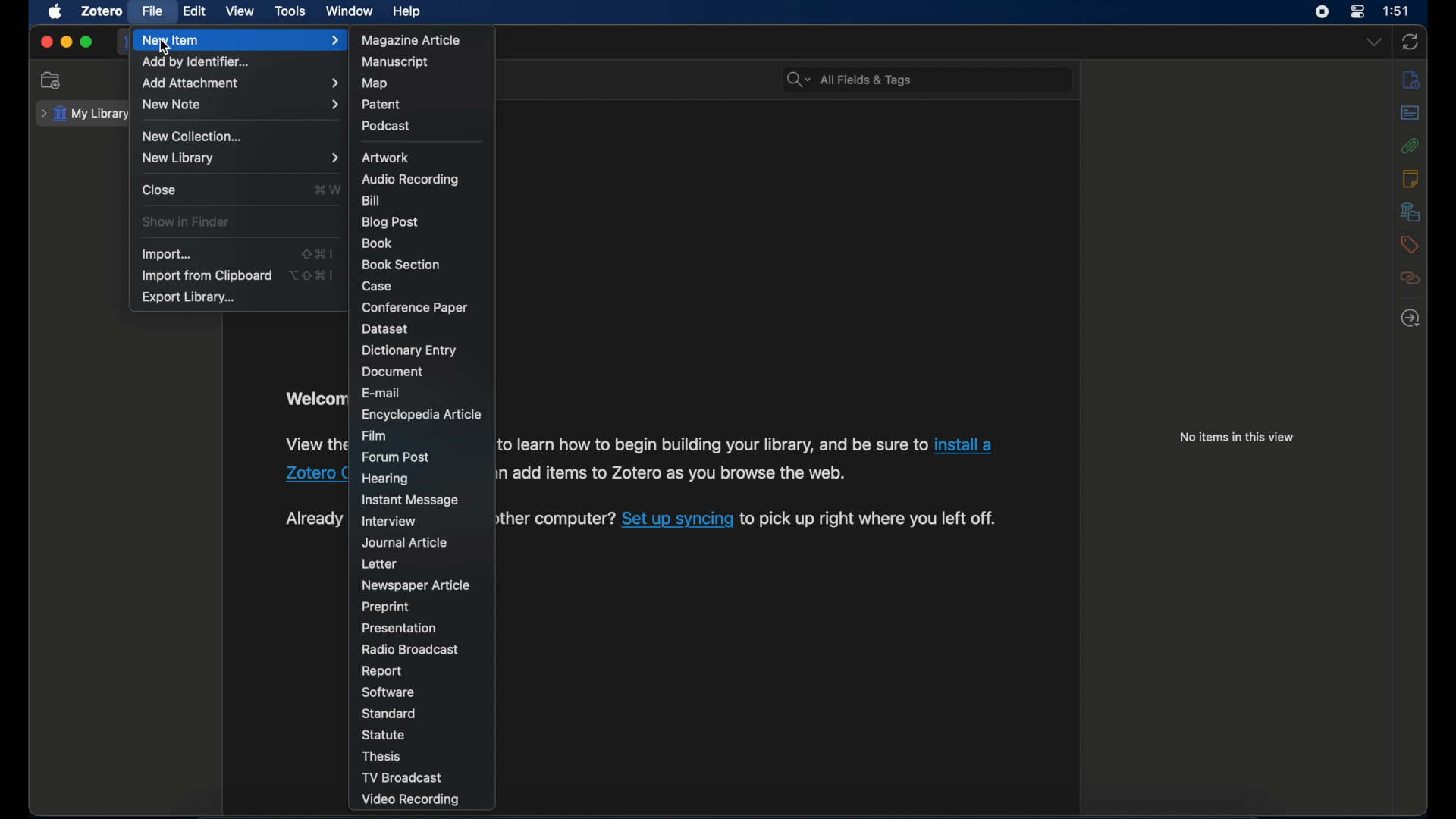  I want to click on new collection, so click(195, 136).